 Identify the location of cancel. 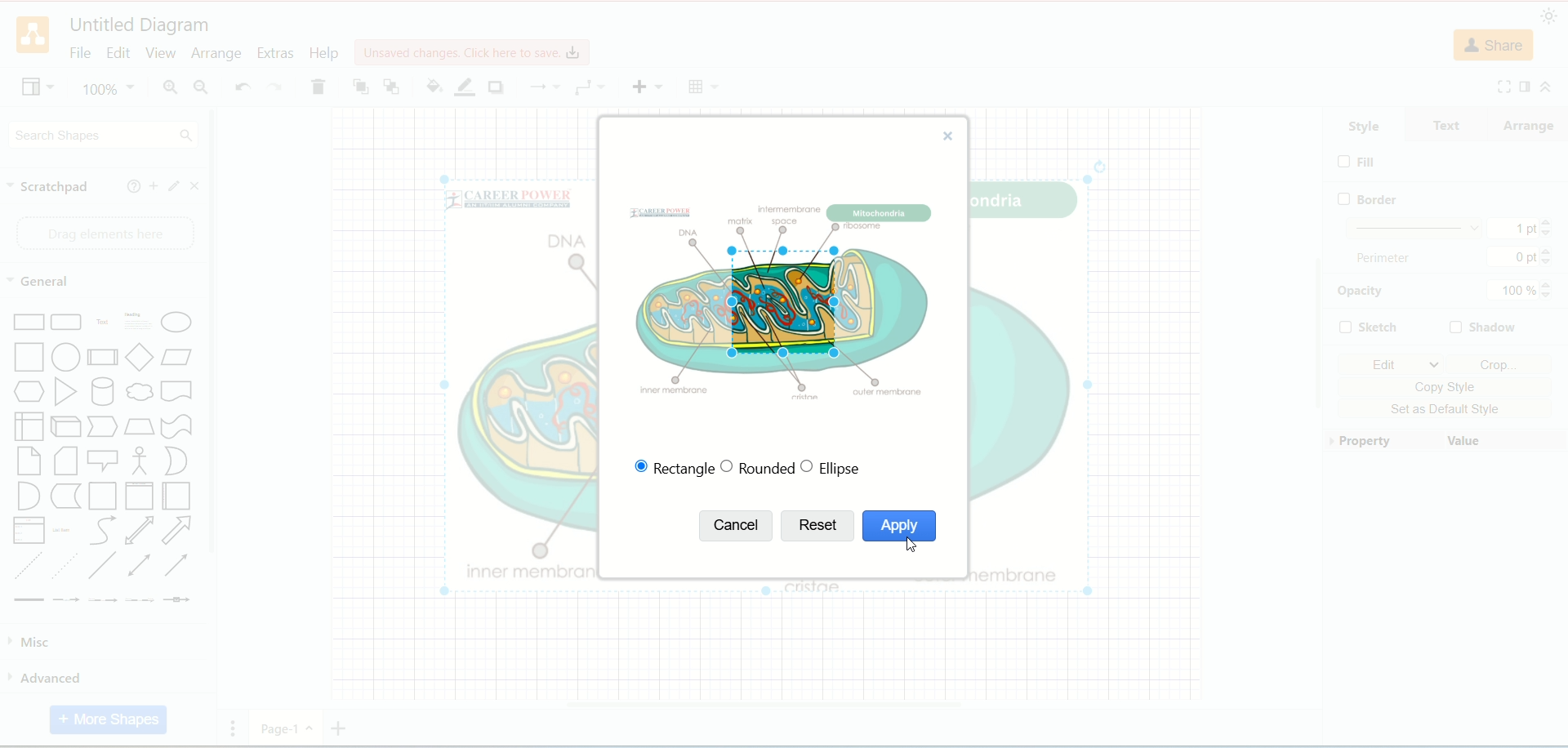
(737, 525).